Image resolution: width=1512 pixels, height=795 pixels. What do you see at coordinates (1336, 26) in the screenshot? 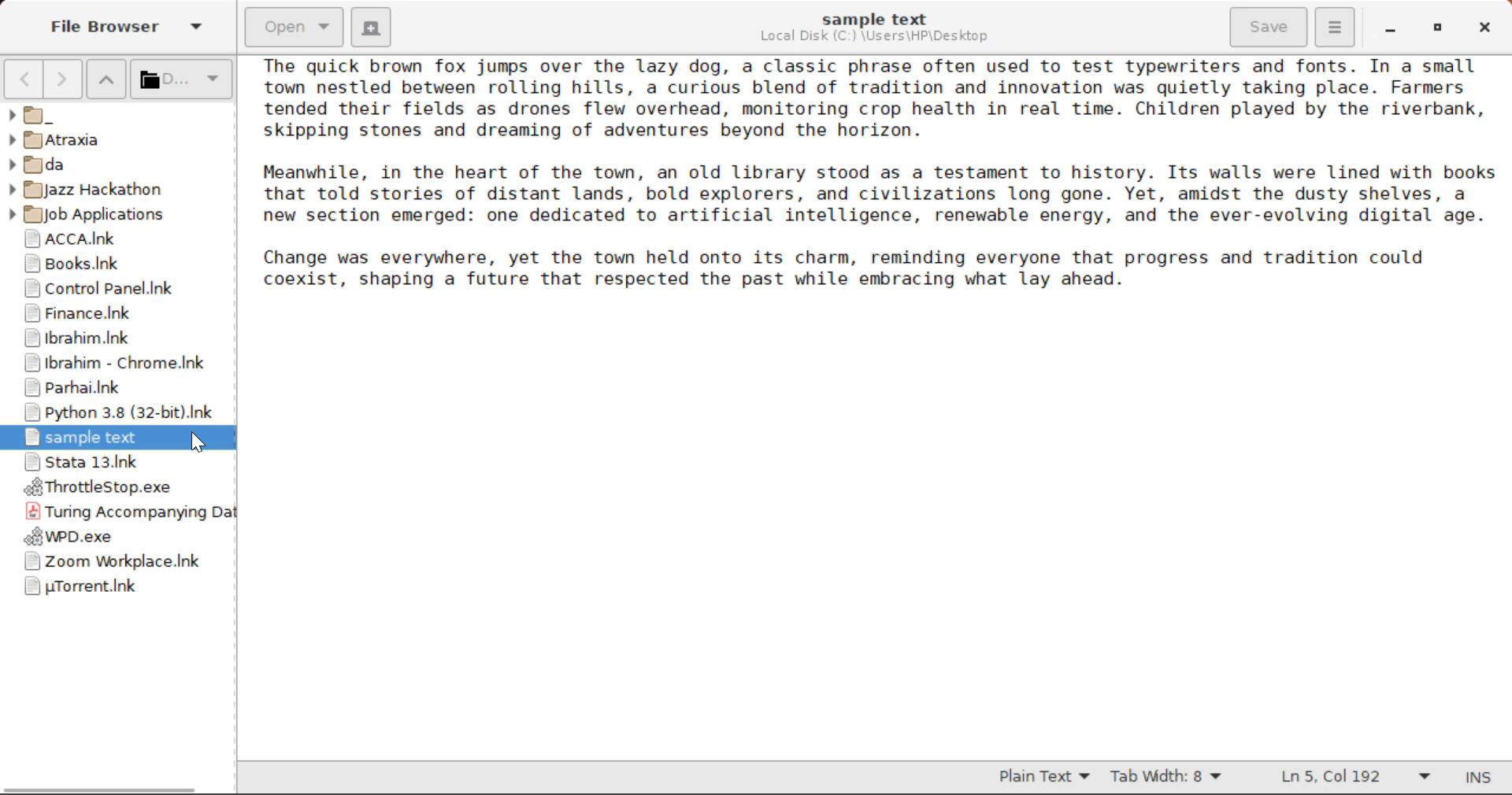
I see `More Options` at bounding box center [1336, 26].